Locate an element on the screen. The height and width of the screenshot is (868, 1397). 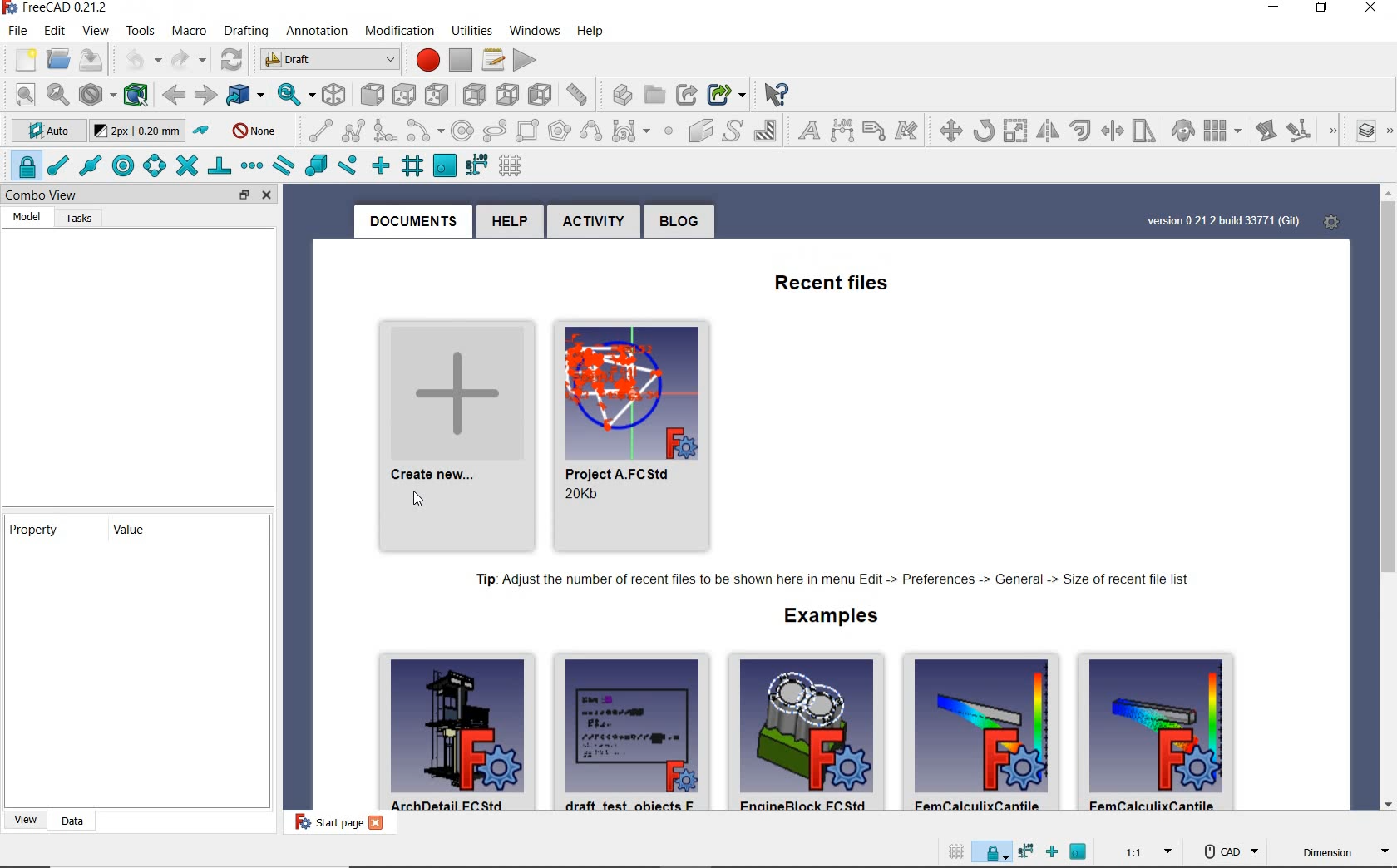
dimension is located at coordinates (1335, 853).